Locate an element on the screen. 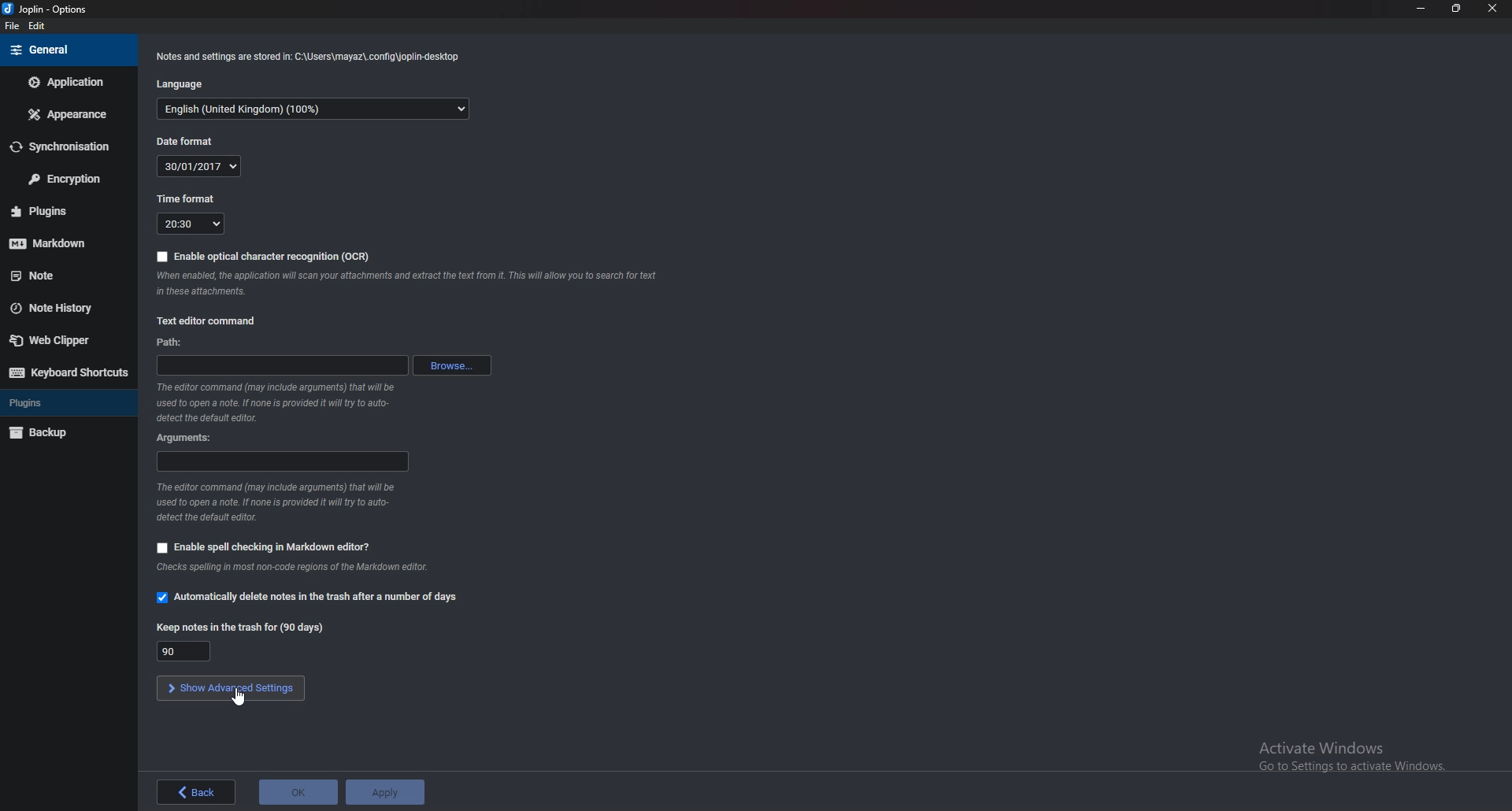 Image resolution: width=1512 pixels, height=811 pixels. Web clipper is located at coordinates (61, 340).